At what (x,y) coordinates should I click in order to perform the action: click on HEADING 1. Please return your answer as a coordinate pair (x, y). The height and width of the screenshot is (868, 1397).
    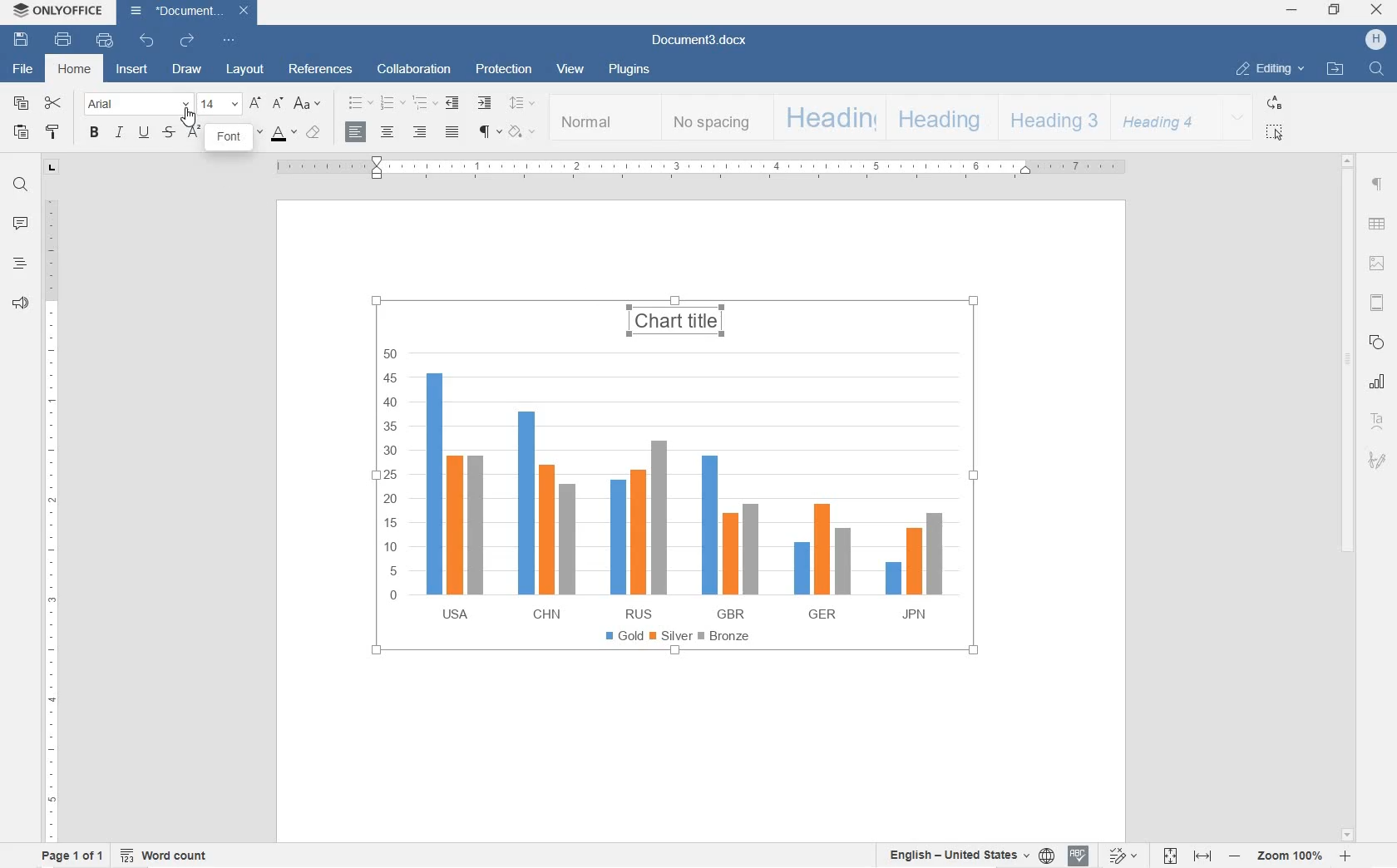
    Looking at the image, I should click on (827, 118).